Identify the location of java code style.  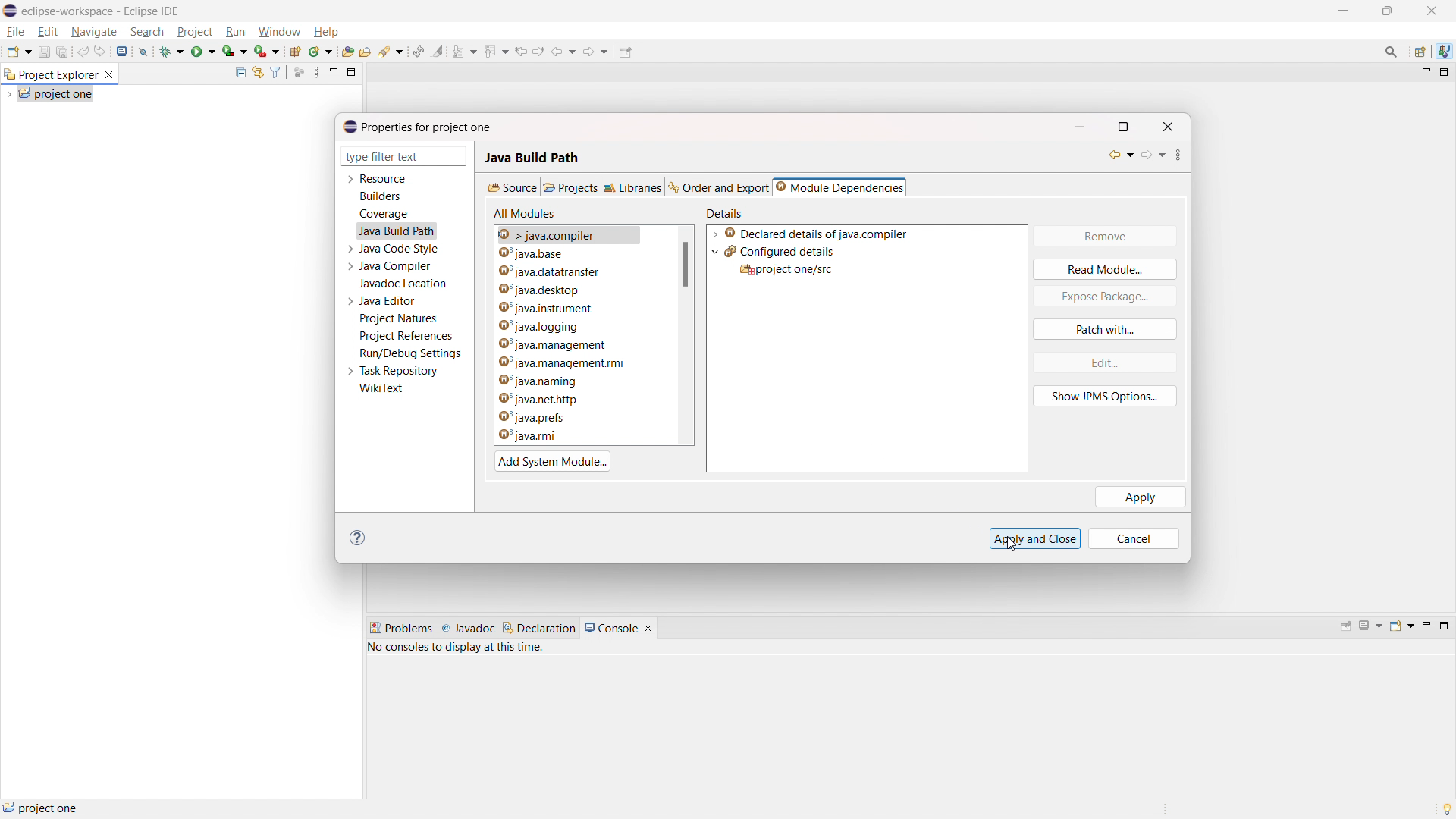
(400, 249).